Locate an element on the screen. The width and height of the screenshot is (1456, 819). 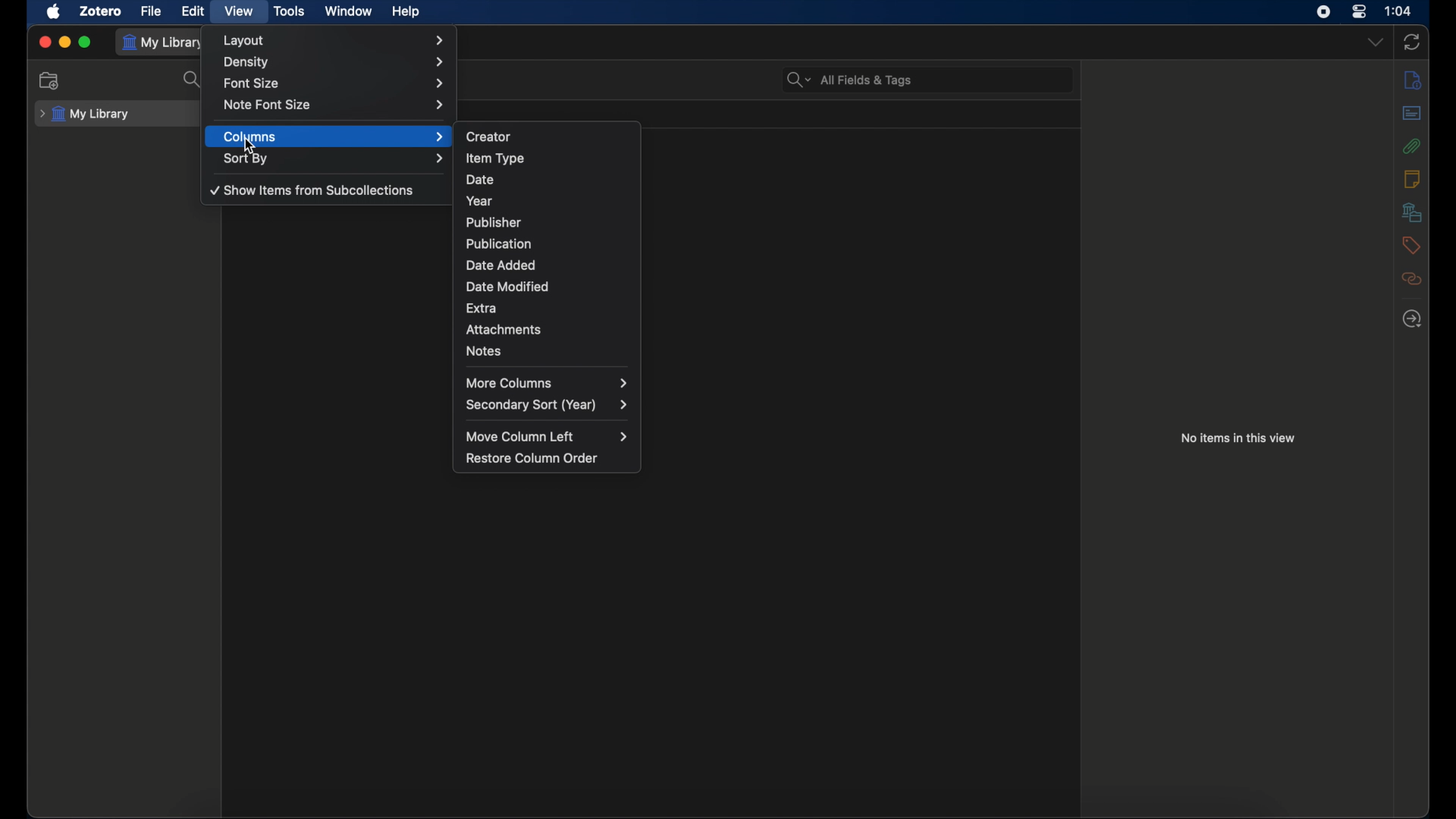
secondary sort is located at coordinates (546, 405).